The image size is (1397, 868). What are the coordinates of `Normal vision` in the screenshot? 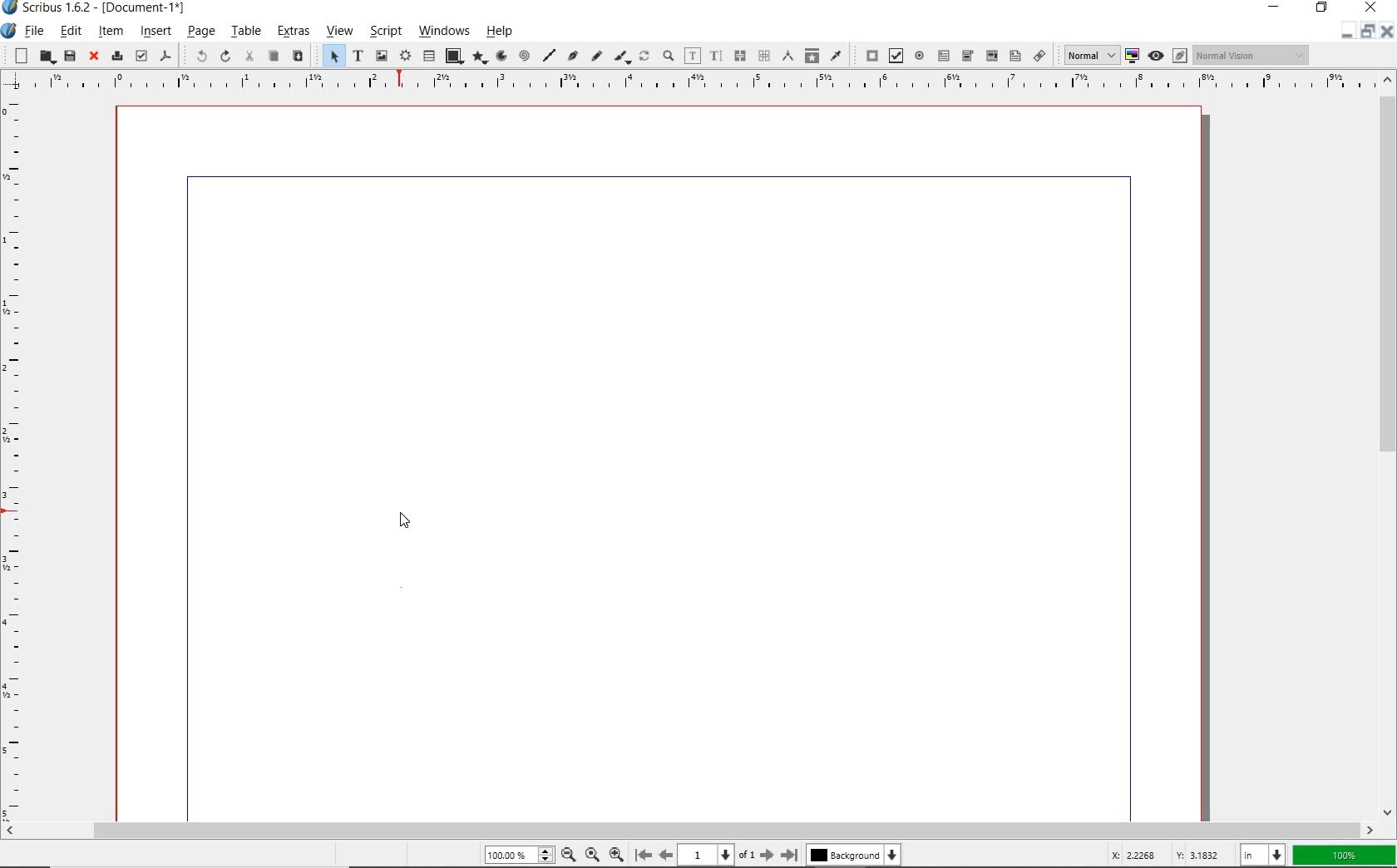 It's located at (1251, 56).